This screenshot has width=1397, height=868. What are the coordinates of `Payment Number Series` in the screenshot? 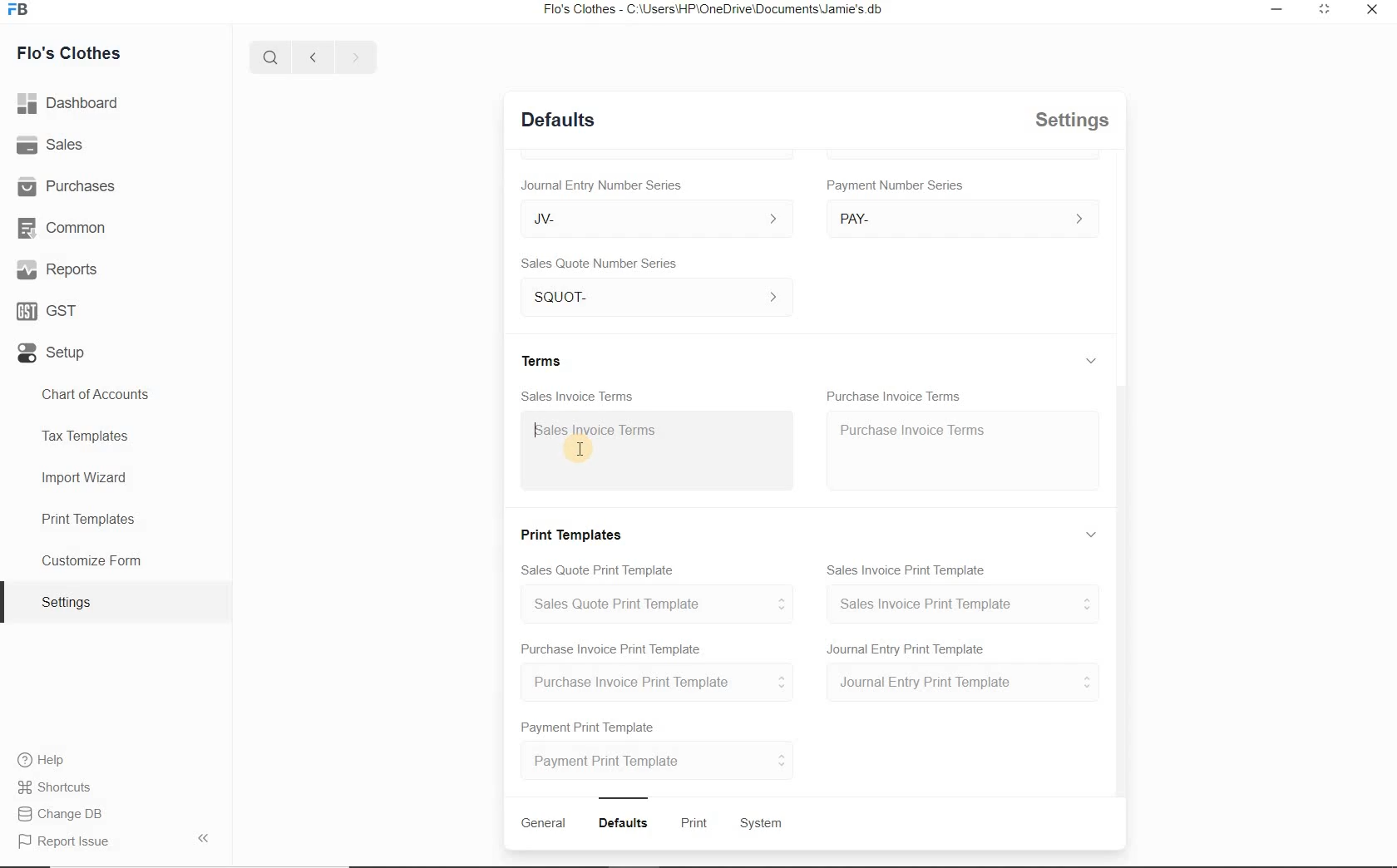 It's located at (896, 185).